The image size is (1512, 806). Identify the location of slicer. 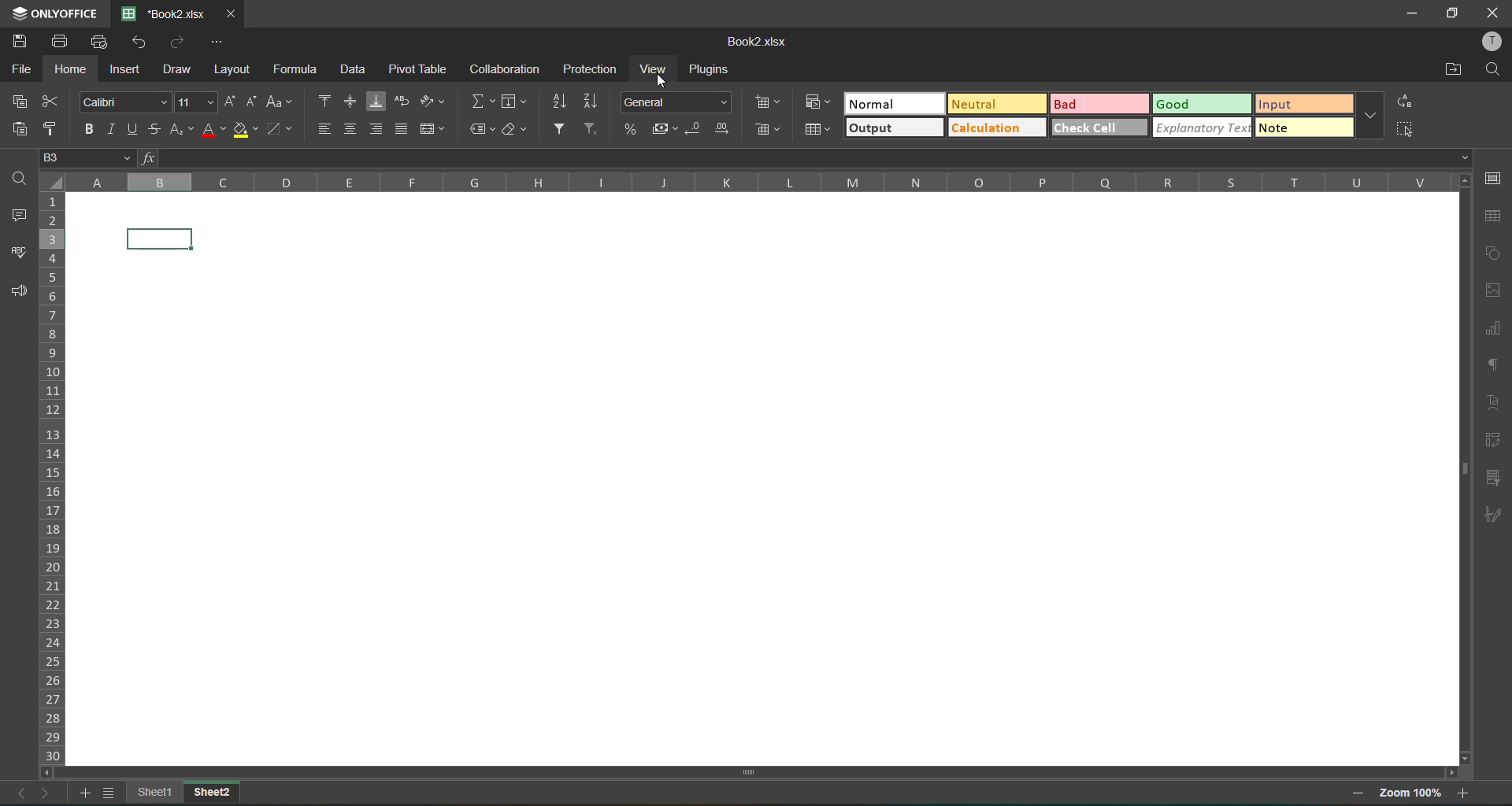
(1496, 477).